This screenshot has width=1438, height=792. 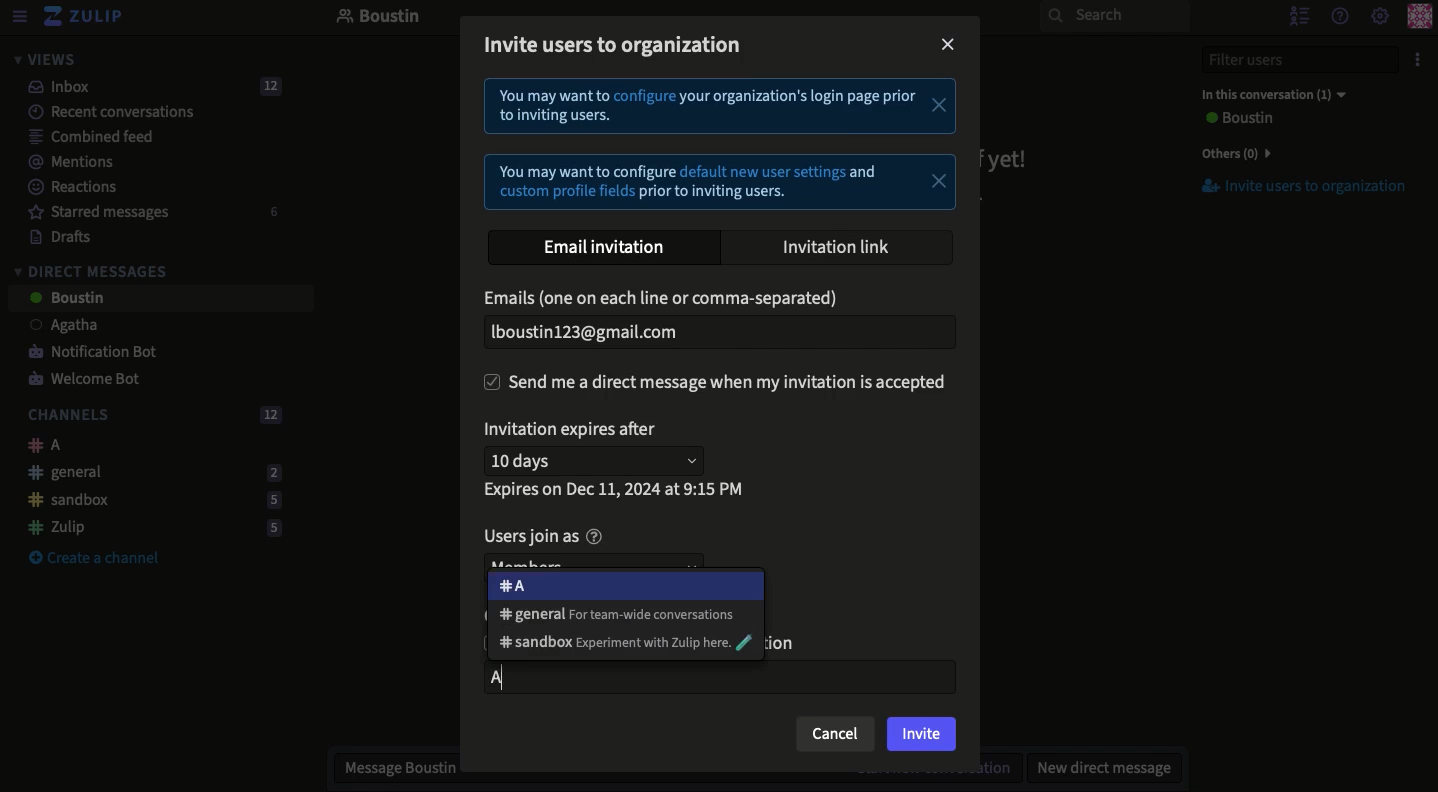 What do you see at coordinates (1288, 60) in the screenshot?
I see `Filter users` at bounding box center [1288, 60].